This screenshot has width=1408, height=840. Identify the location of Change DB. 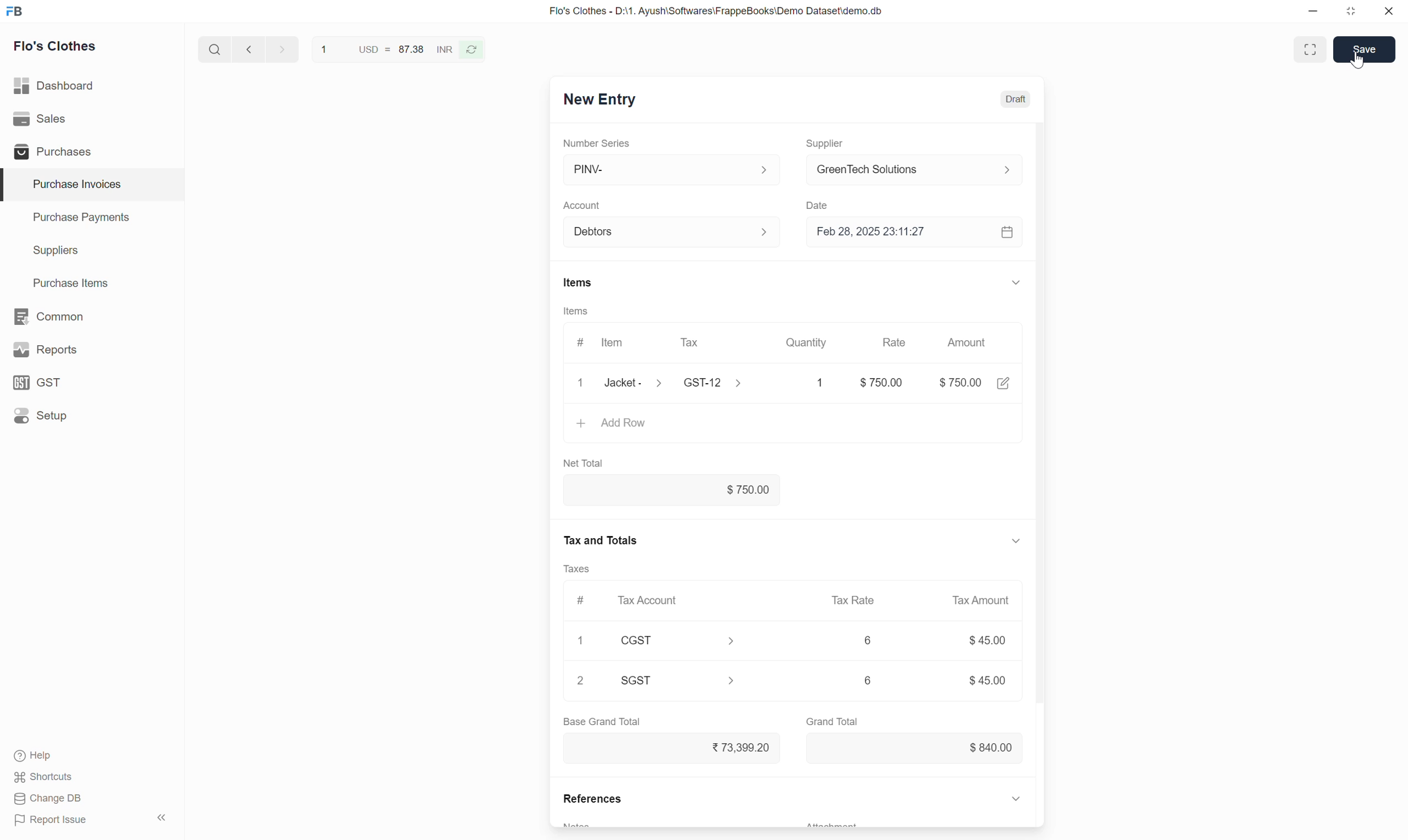
(49, 799).